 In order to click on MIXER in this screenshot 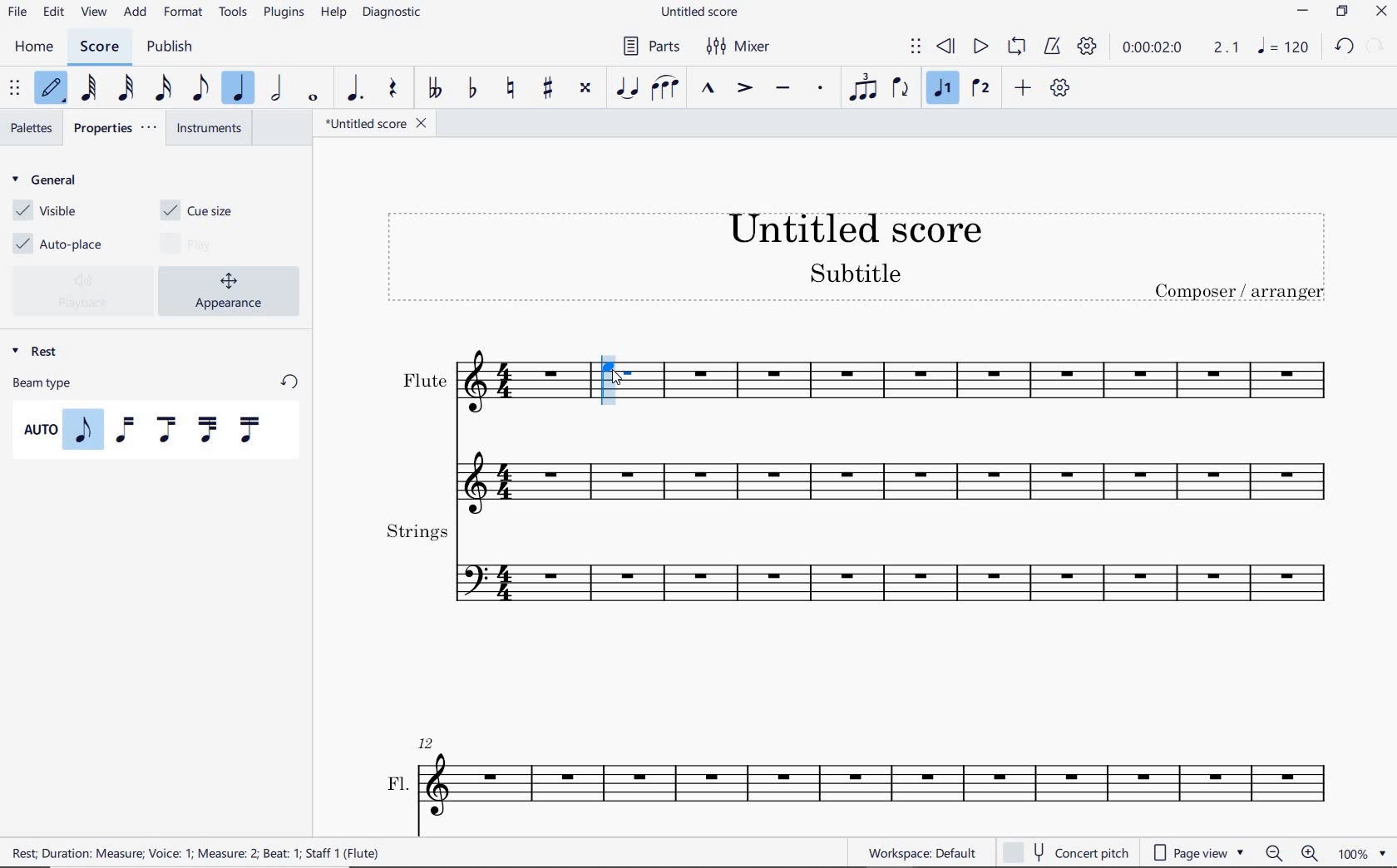, I will do `click(740, 47)`.